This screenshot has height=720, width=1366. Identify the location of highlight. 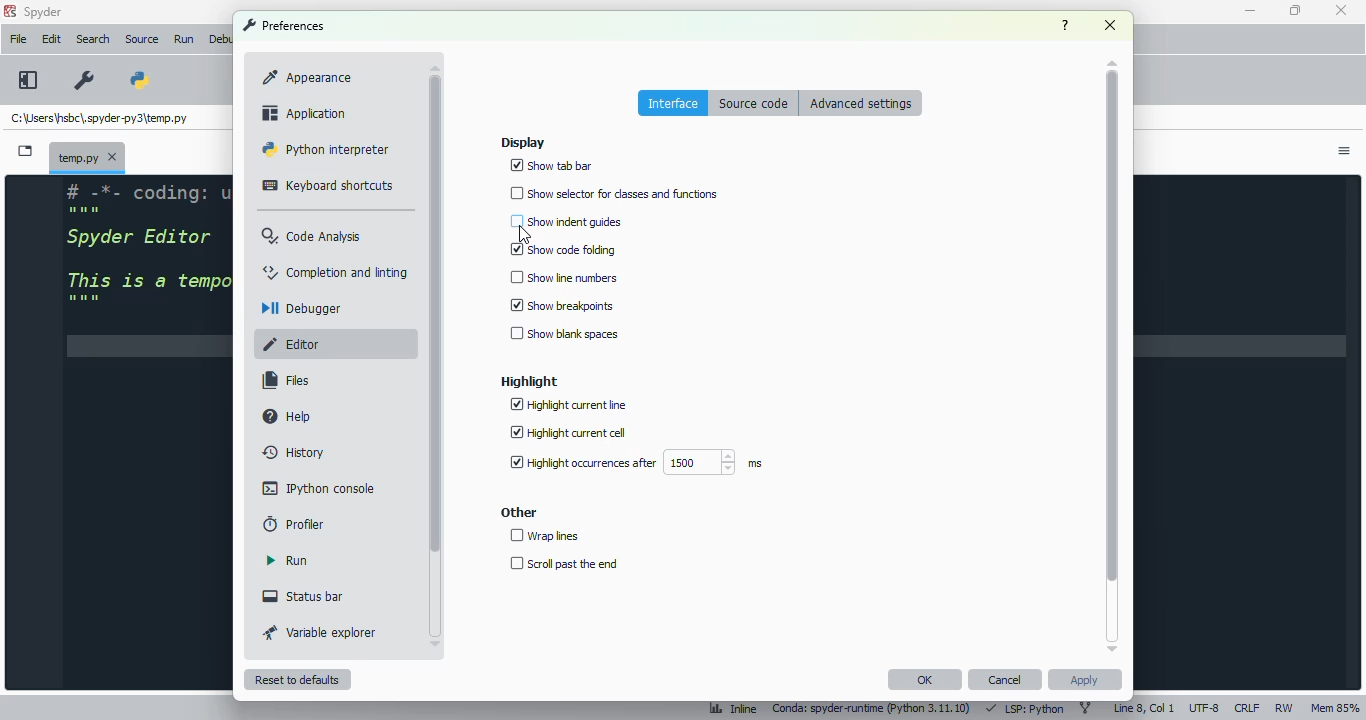
(531, 382).